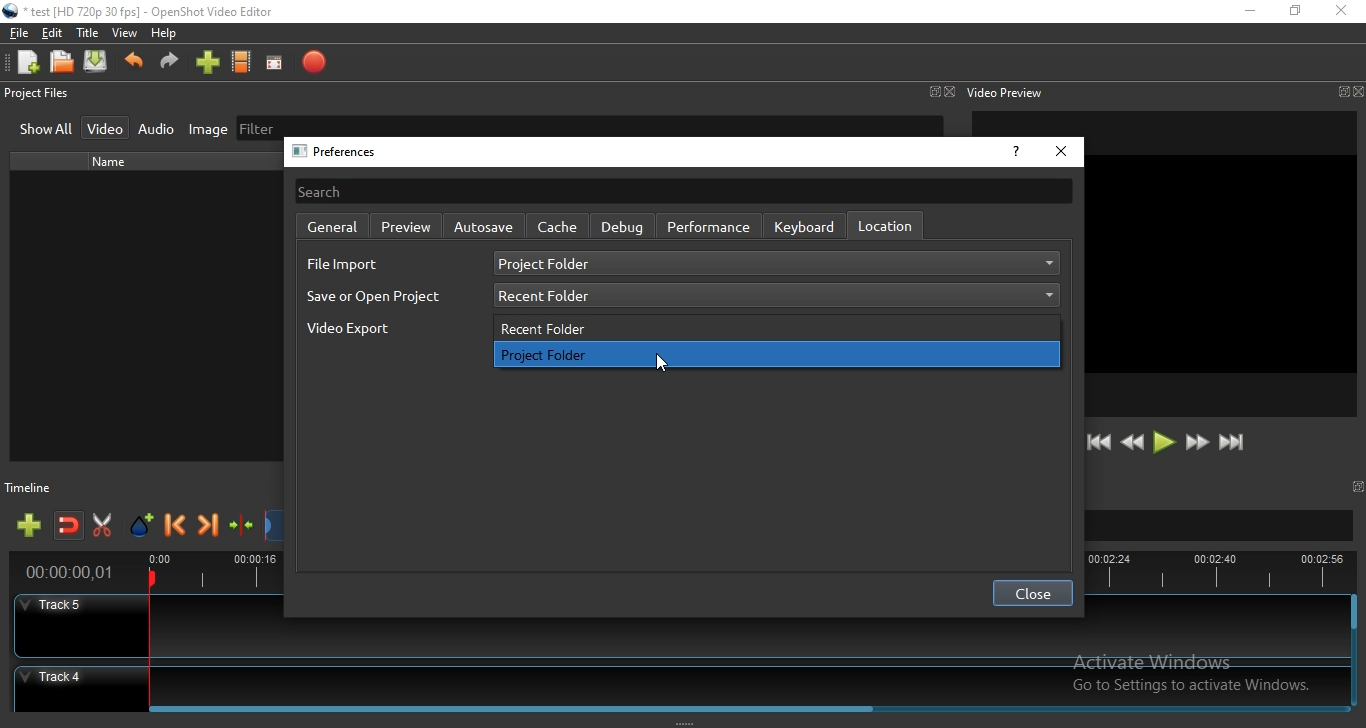 The width and height of the screenshot is (1366, 728). What do you see at coordinates (143, 526) in the screenshot?
I see `Add marker` at bounding box center [143, 526].